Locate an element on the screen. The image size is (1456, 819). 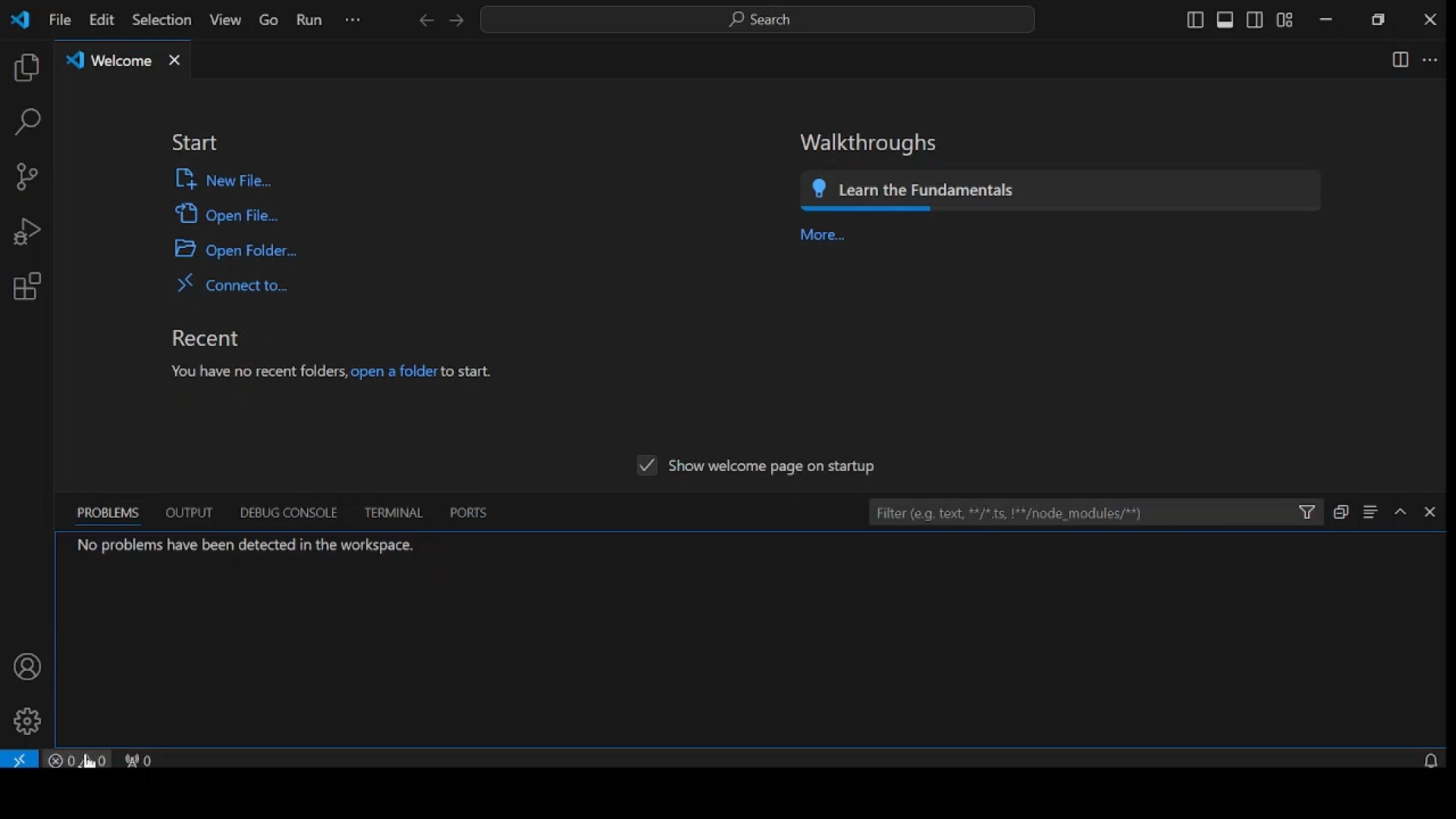
explorer is located at coordinates (24, 69).